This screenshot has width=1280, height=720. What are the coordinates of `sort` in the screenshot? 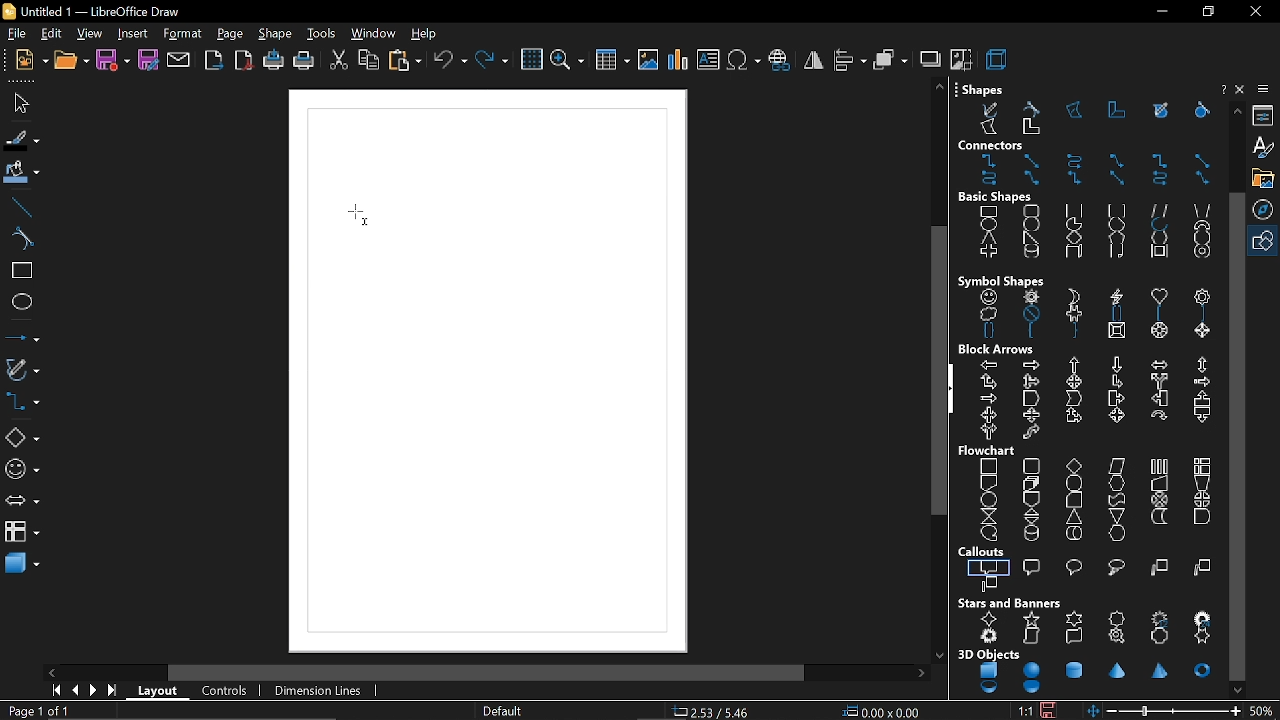 It's located at (1030, 516).